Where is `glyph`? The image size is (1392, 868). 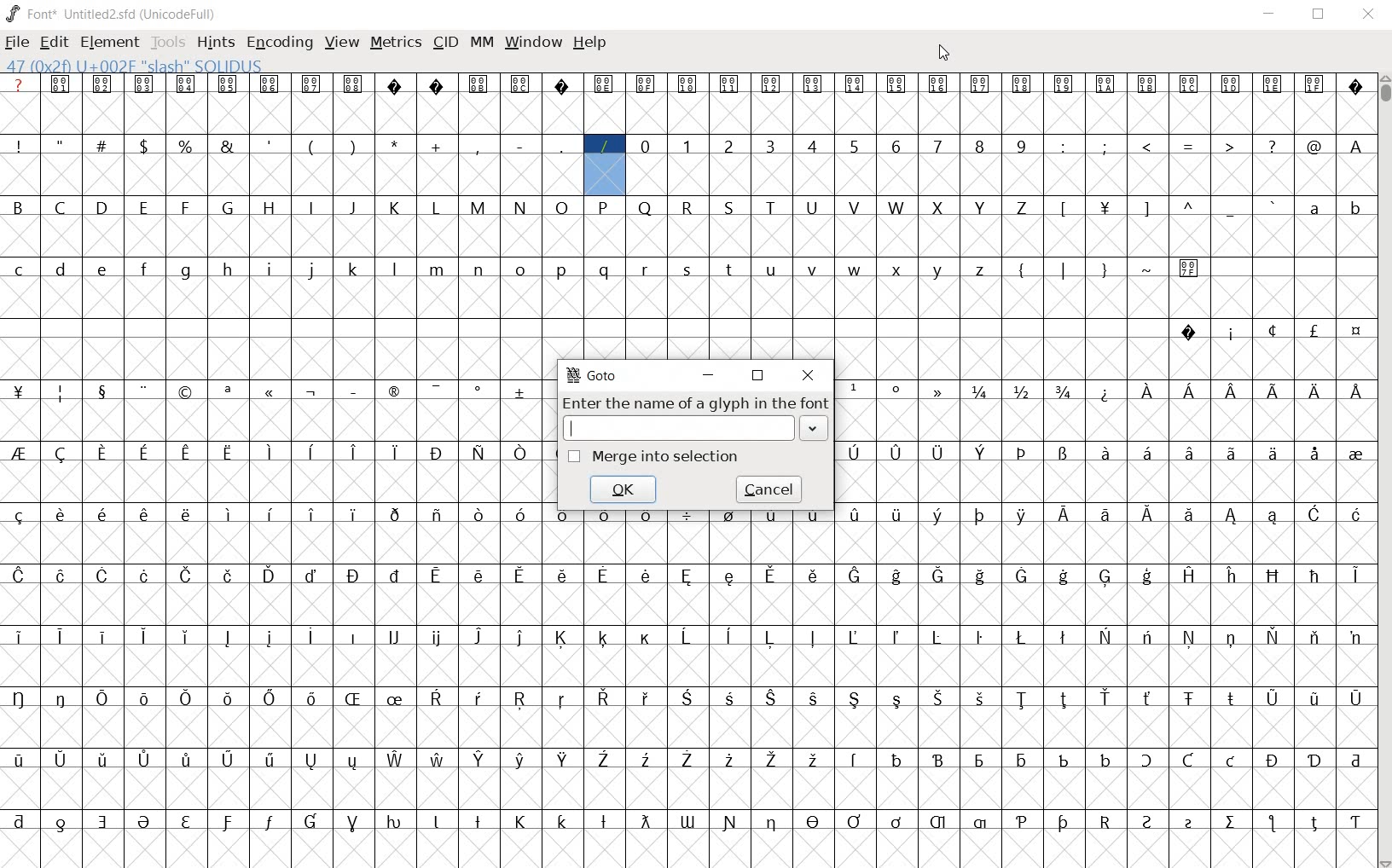
glyph is located at coordinates (1147, 146).